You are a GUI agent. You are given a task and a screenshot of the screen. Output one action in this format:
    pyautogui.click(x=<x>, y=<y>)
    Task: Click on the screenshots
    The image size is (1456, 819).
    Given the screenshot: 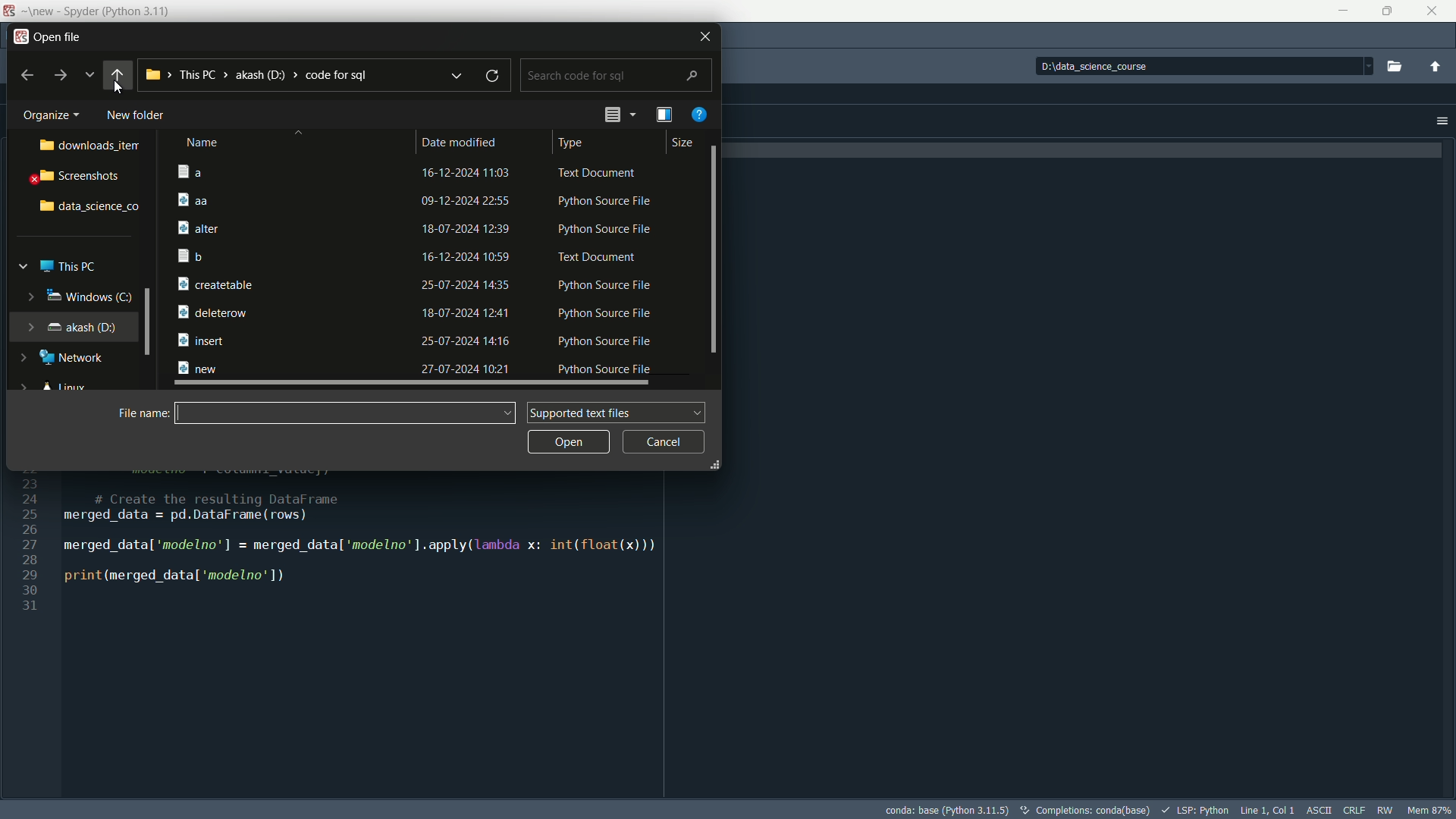 What is the action you would take?
    pyautogui.click(x=80, y=175)
    